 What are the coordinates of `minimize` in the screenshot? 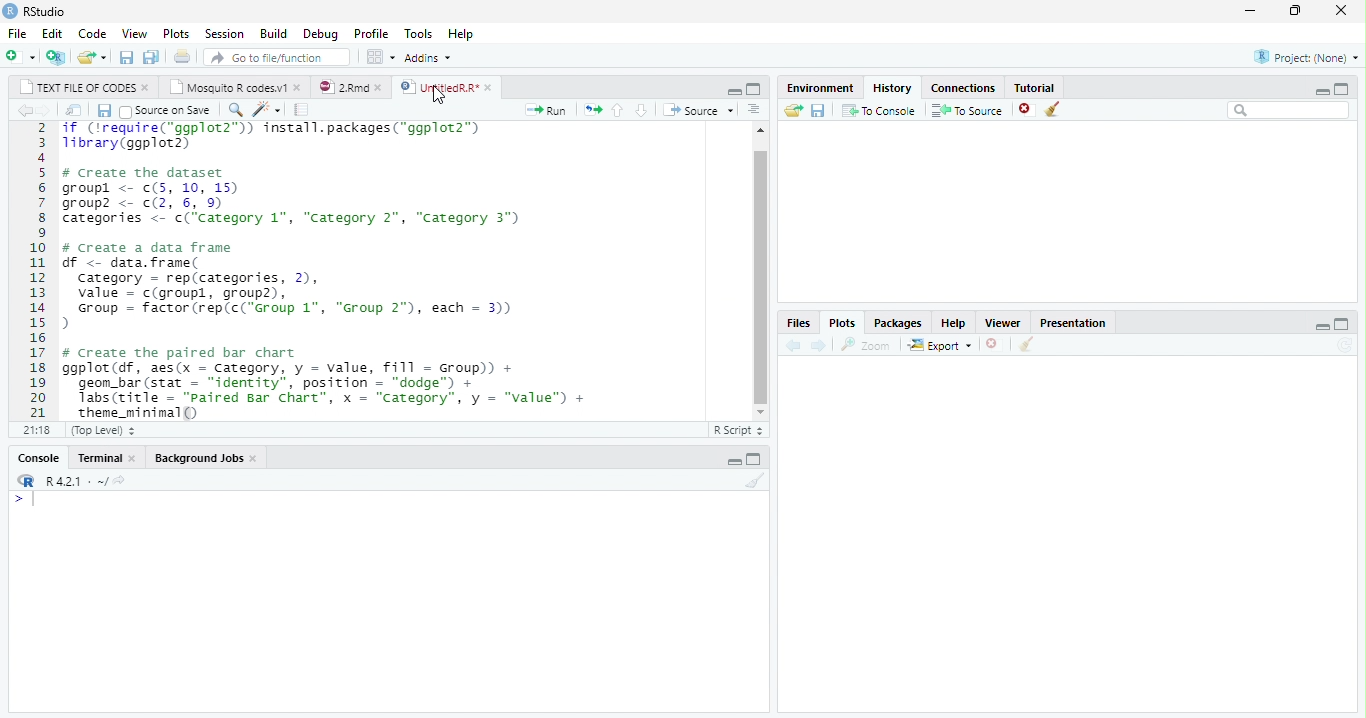 It's located at (733, 90).